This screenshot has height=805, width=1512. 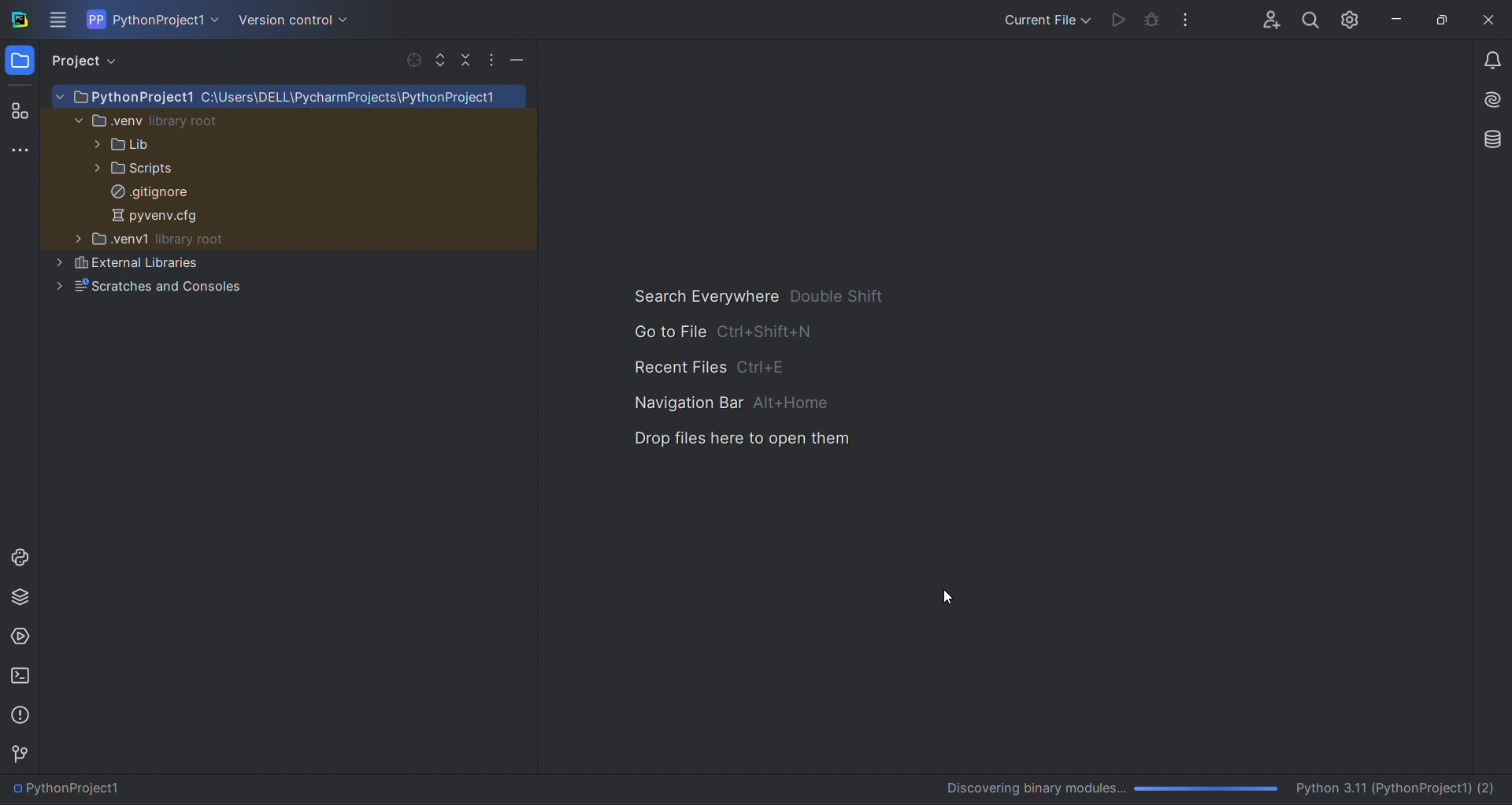 What do you see at coordinates (492, 62) in the screenshot?
I see `options` at bounding box center [492, 62].